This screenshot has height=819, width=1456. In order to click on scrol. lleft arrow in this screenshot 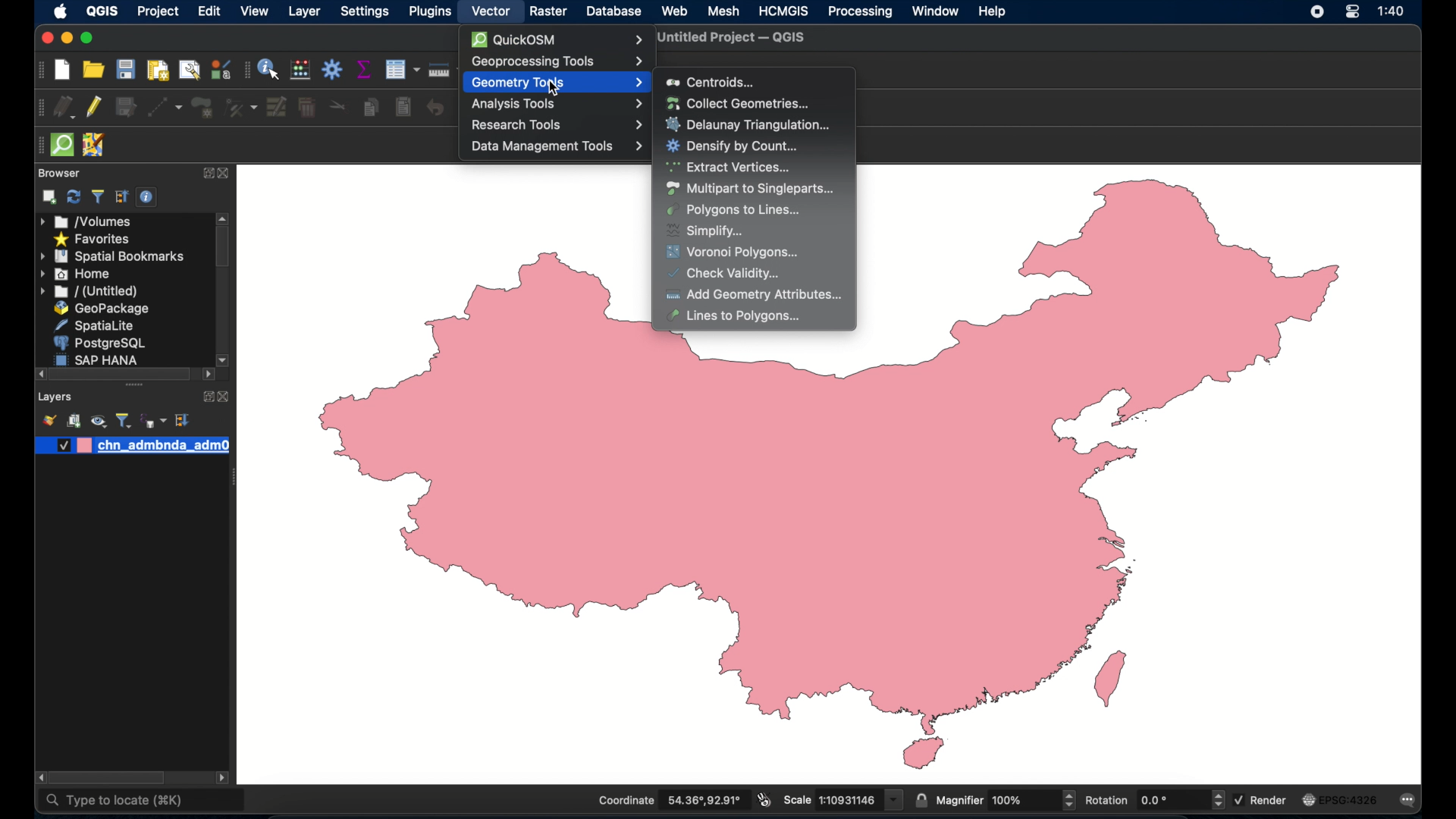, I will do `click(224, 779)`.